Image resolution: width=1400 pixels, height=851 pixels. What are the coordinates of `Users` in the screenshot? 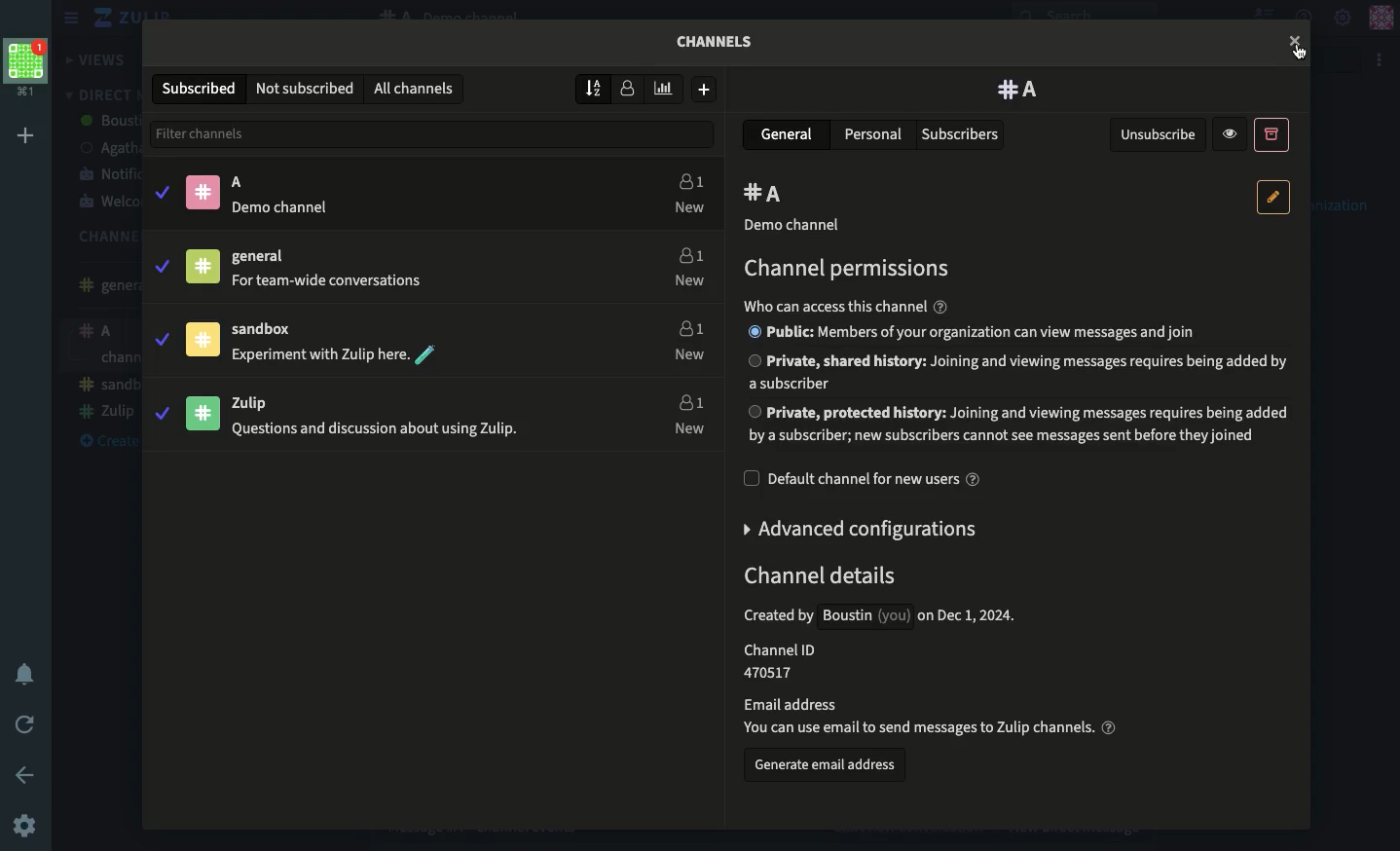 It's located at (685, 264).